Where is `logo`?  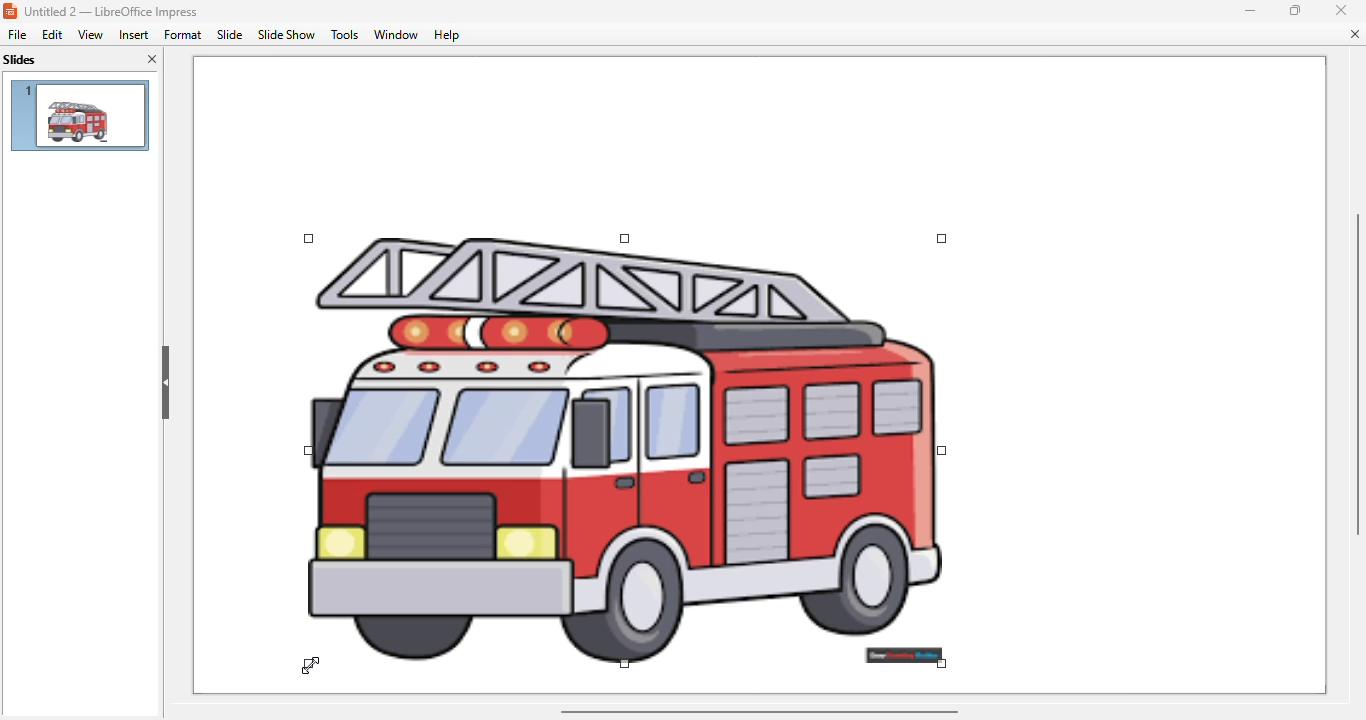
logo is located at coordinates (9, 11).